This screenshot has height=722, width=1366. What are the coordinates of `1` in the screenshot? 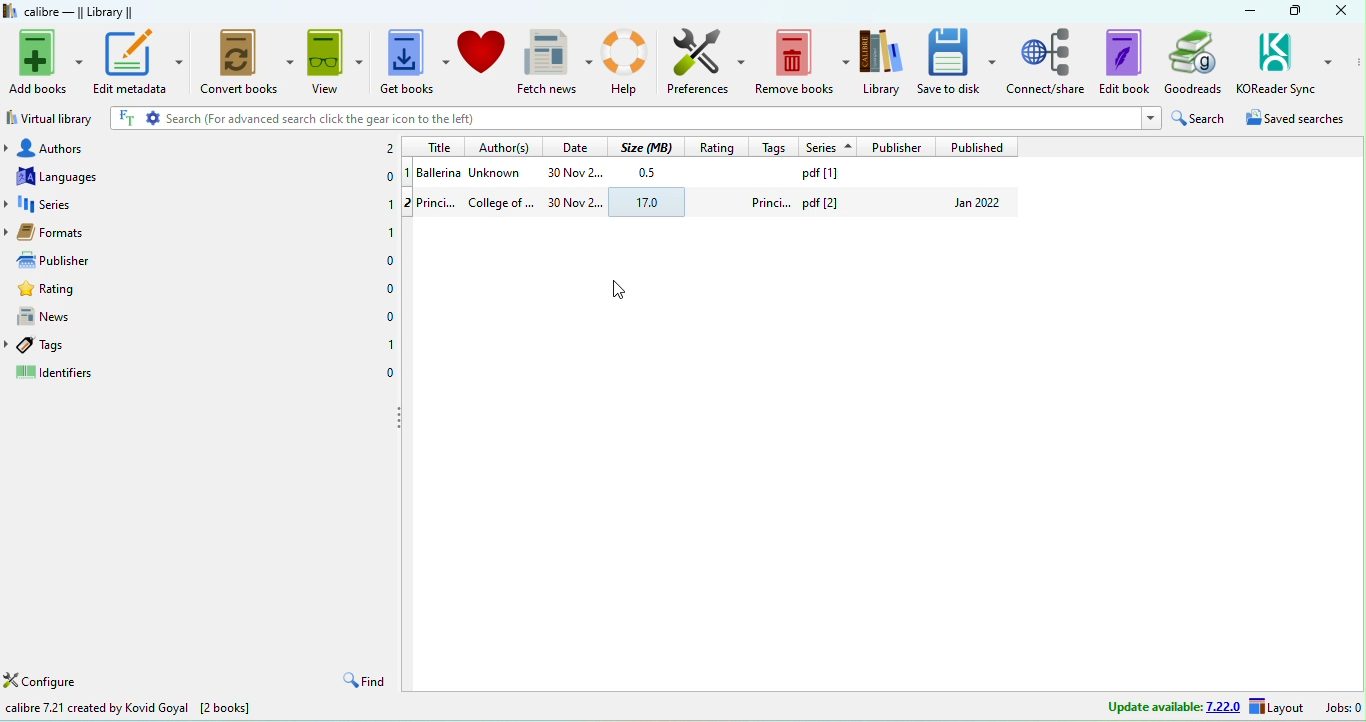 It's located at (390, 202).